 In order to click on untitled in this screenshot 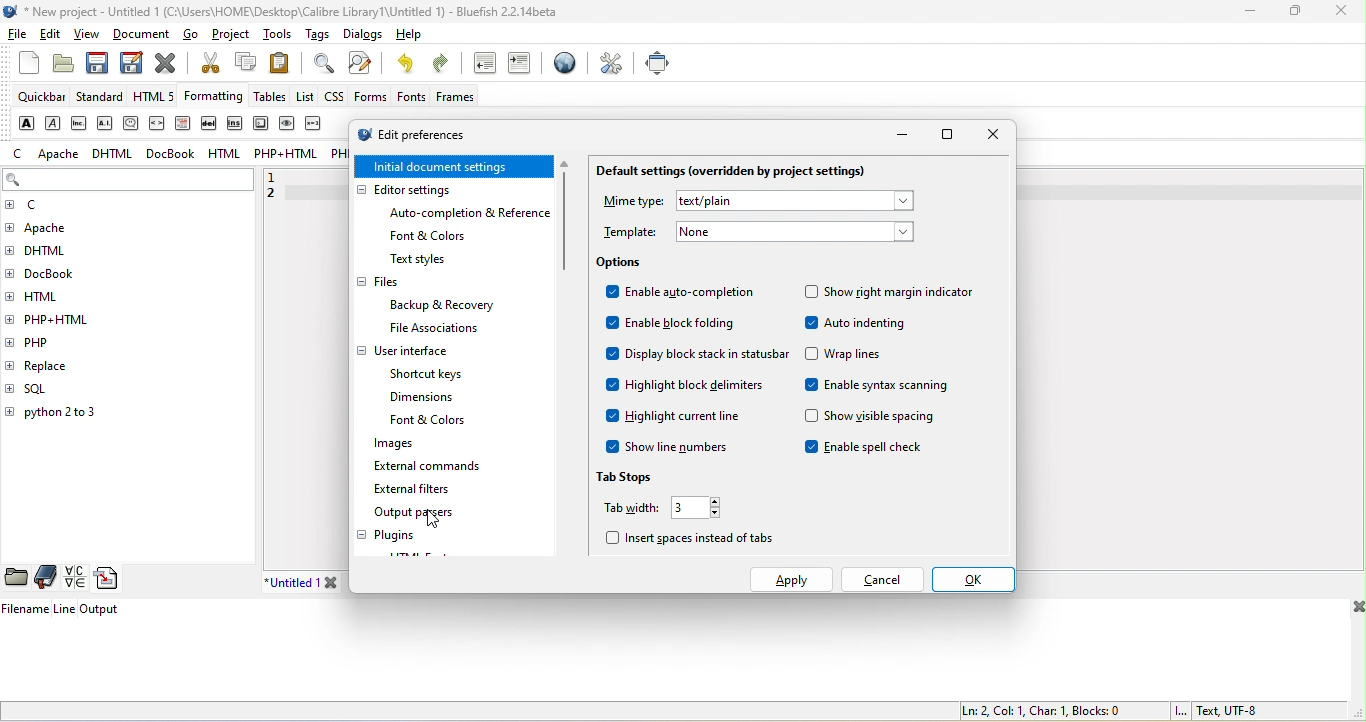, I will do `click(317, 582)`.